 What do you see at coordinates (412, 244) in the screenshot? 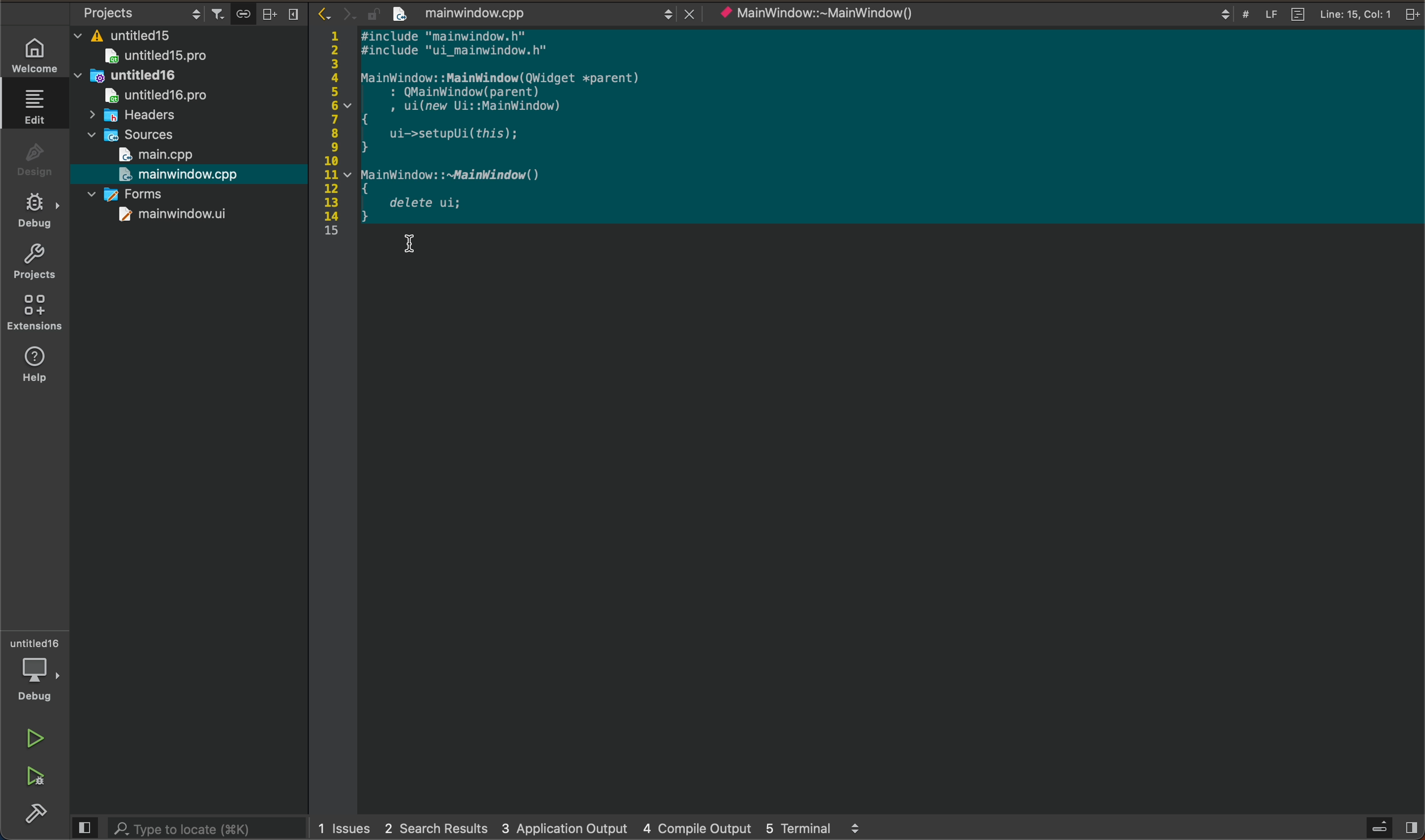
I see `cursor` at bounding box center [412, 244].